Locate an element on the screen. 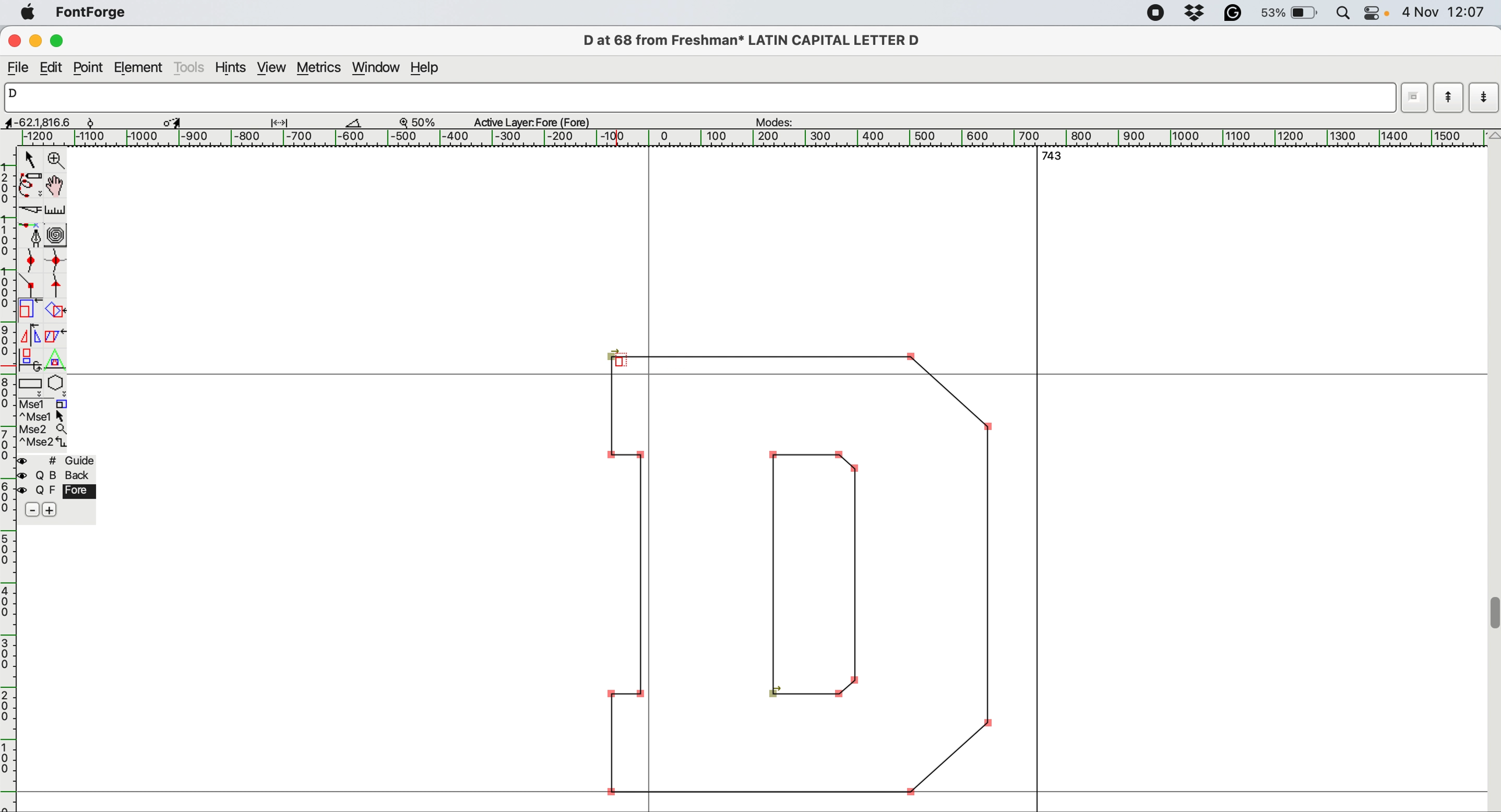 The image size is (1501, 812). minimize is located at coordinates (37, 41).